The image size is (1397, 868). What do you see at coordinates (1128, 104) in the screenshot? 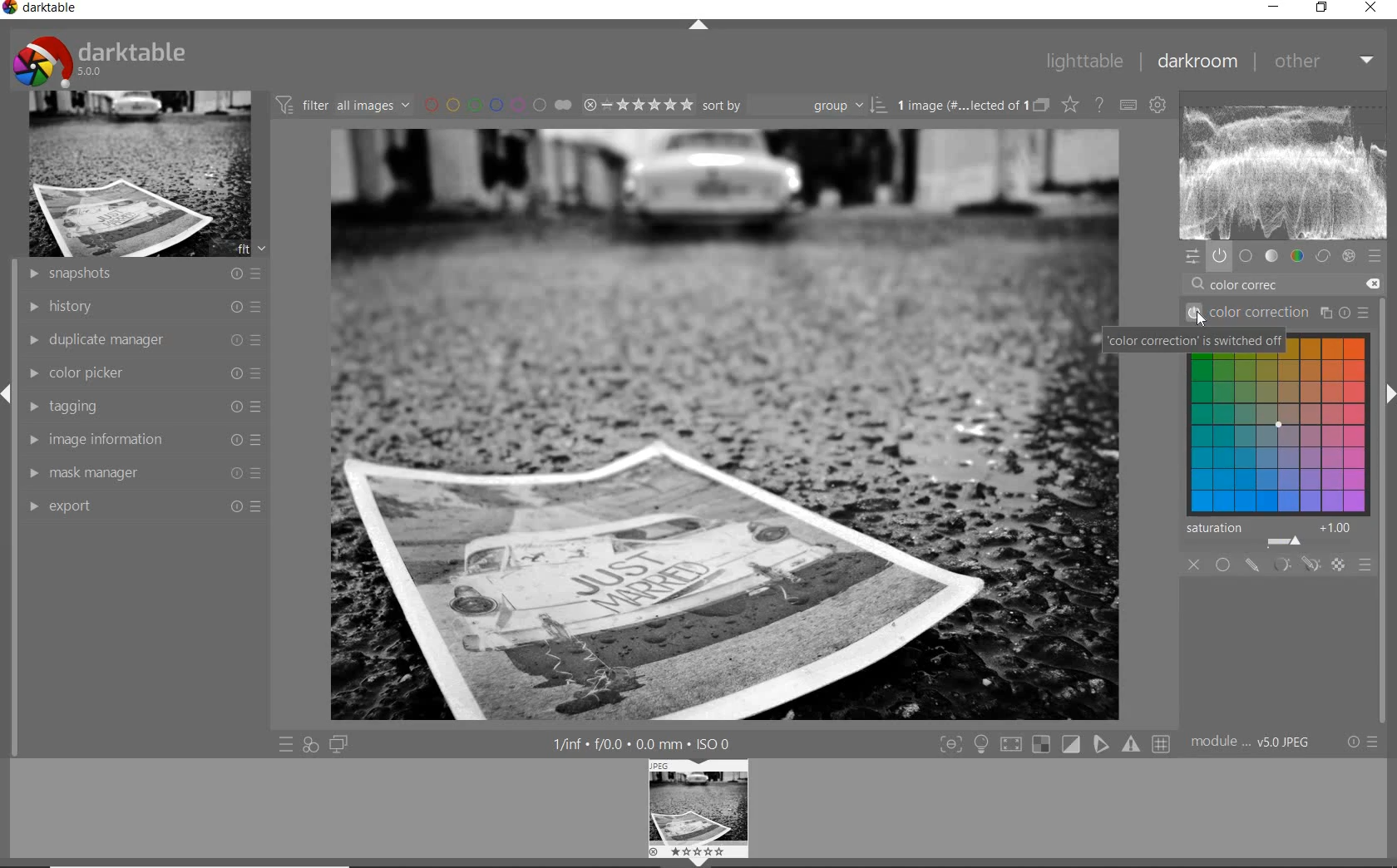
I see `define keyboard shortcut` at bounding box center [1128, 104].